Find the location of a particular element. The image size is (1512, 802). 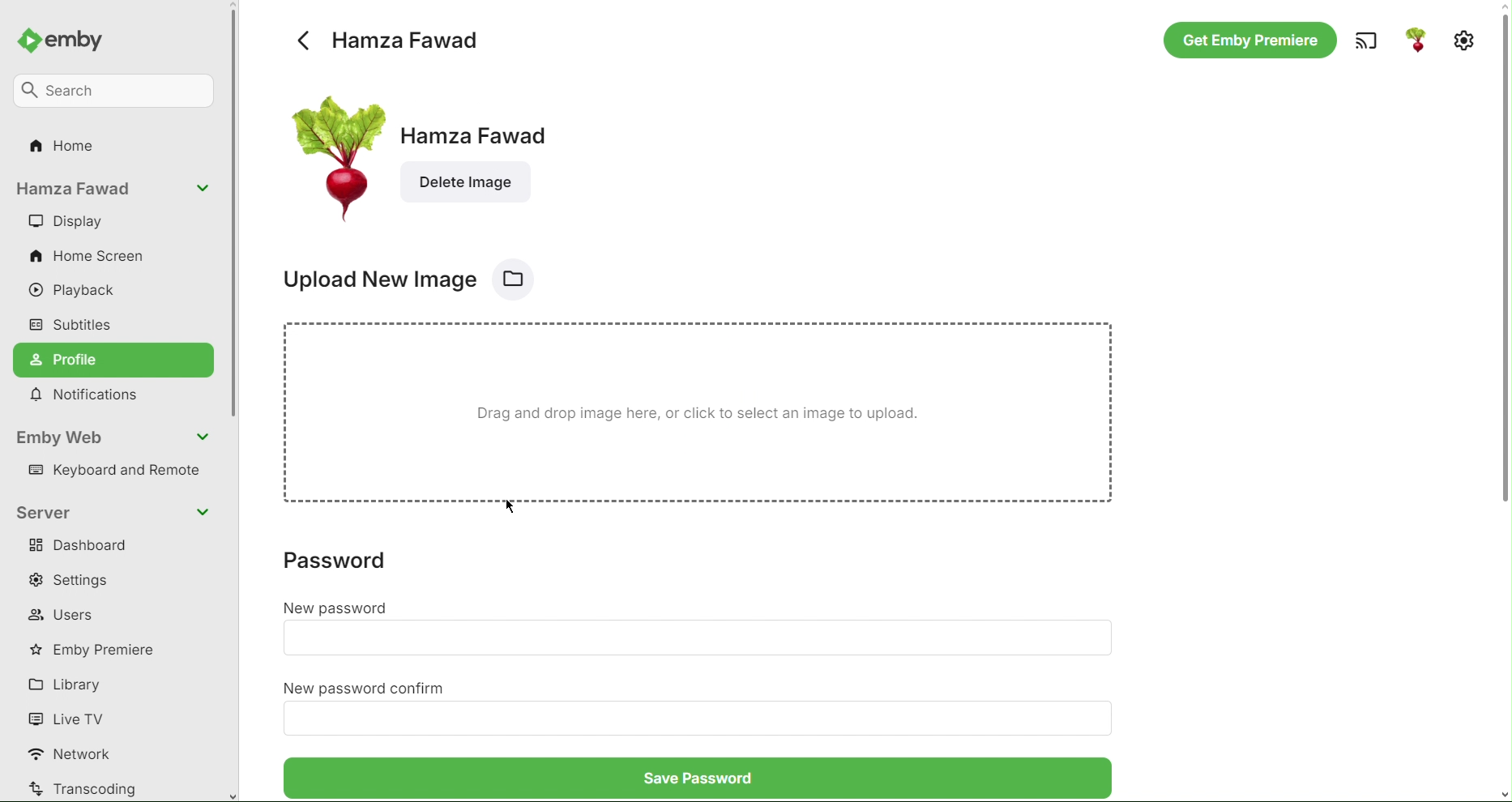

Emby is located at coordinates (68, 37).